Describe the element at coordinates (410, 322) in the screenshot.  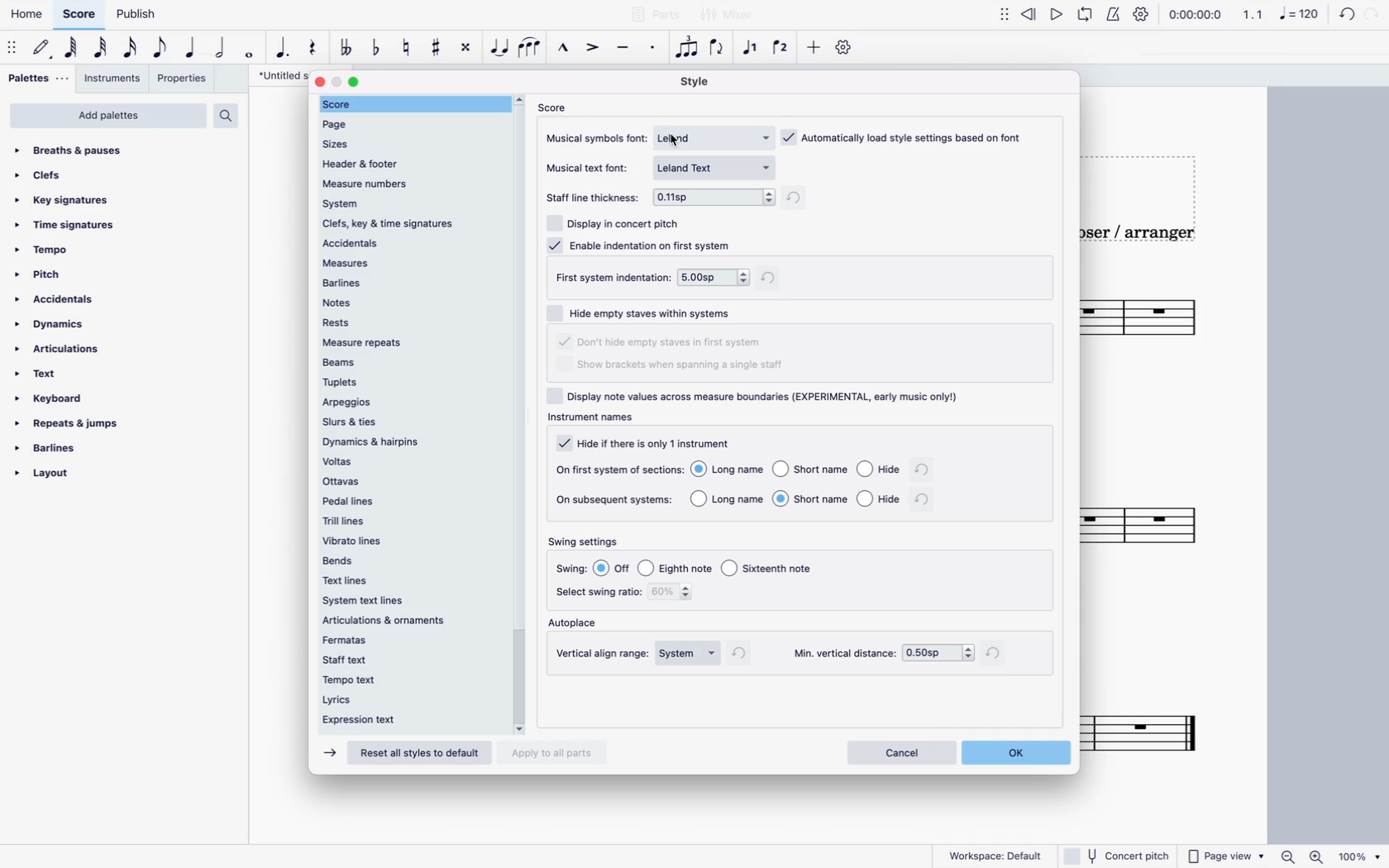
I see `rests` at that location.